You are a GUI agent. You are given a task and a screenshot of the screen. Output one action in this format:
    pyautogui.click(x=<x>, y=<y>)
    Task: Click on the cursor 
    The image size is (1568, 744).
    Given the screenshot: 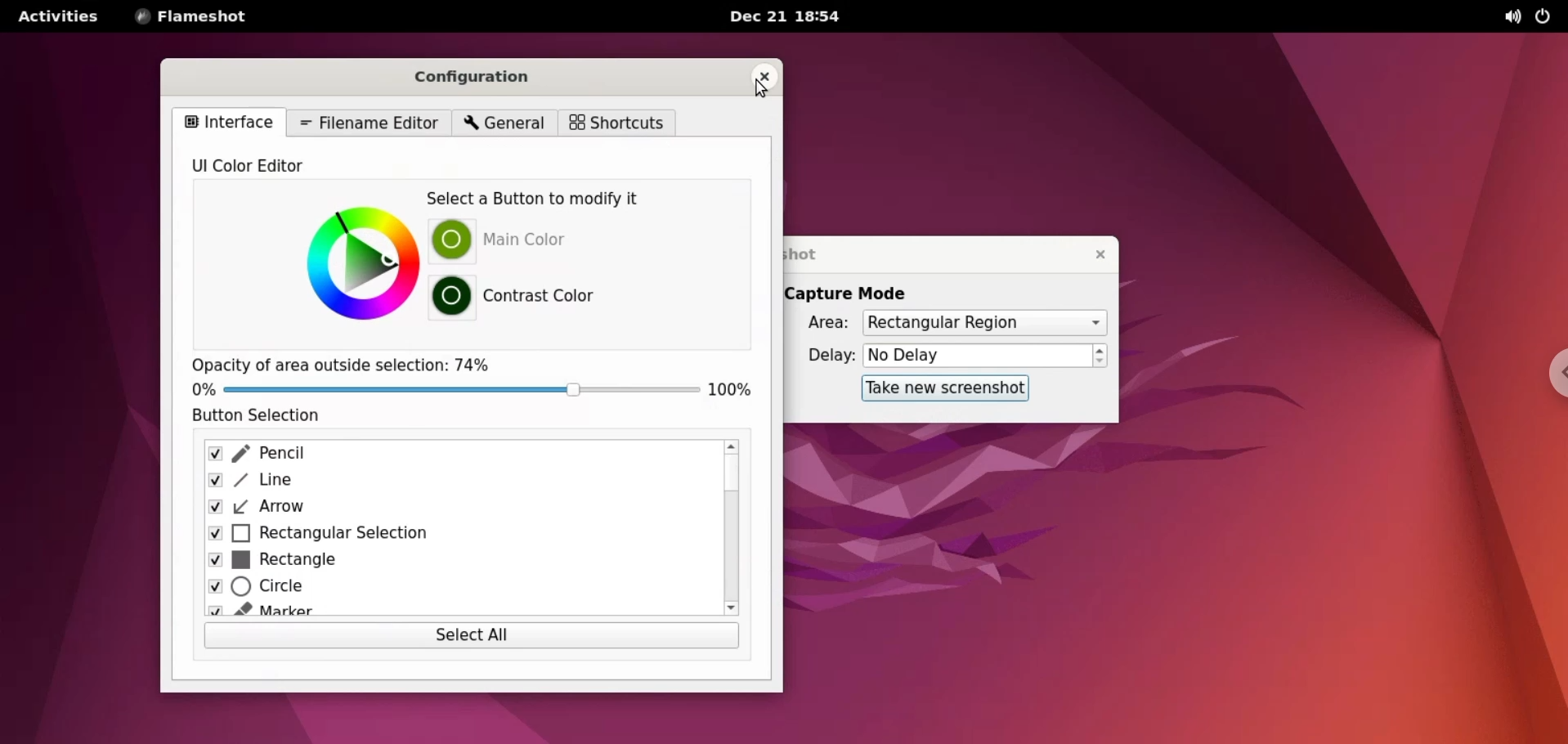 What is the action you would take?
    pyautogui.click(x=767, y=90)
    